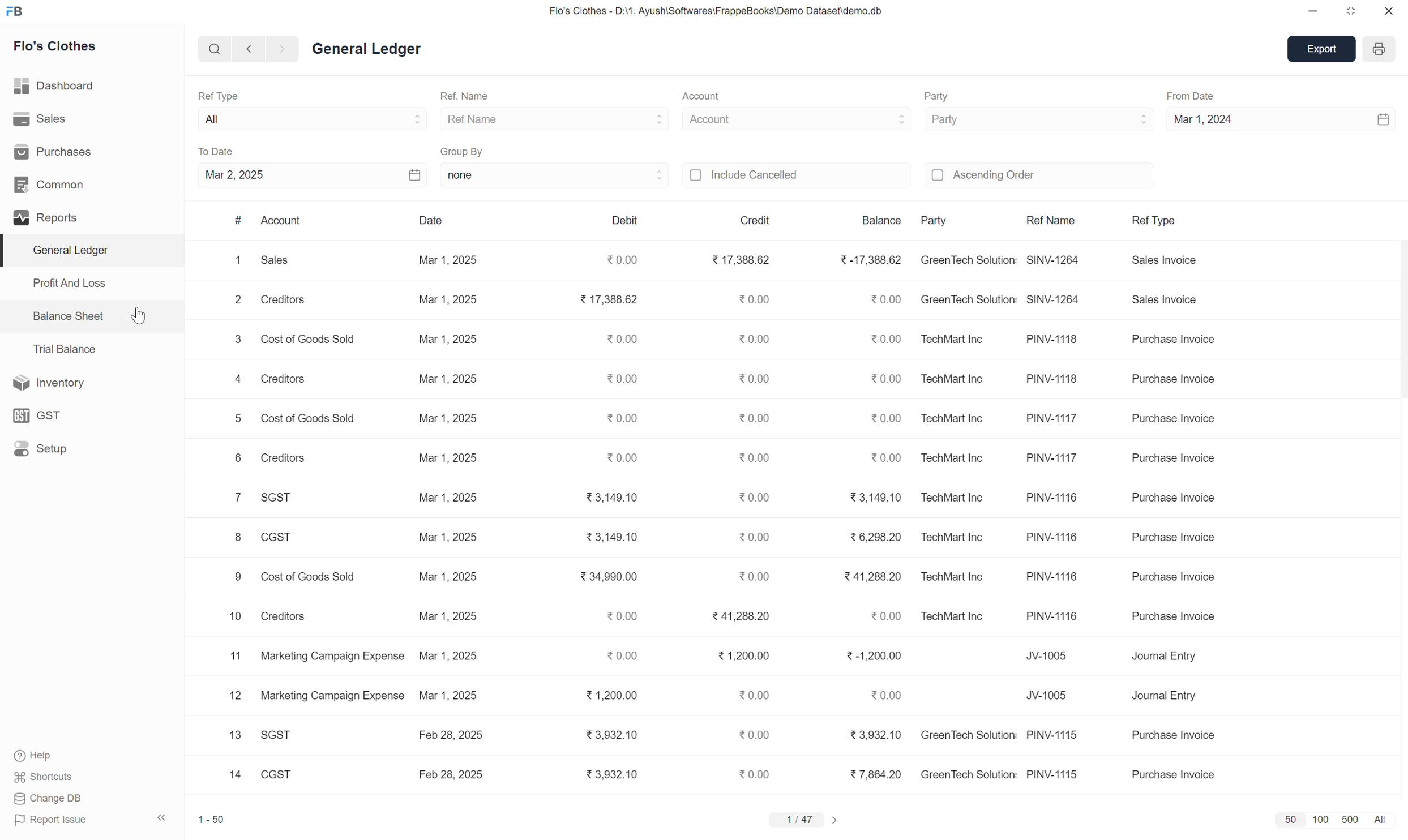  Describe the element at coordinates (463, 152) in the screenshot. I see `Group By` at that location.